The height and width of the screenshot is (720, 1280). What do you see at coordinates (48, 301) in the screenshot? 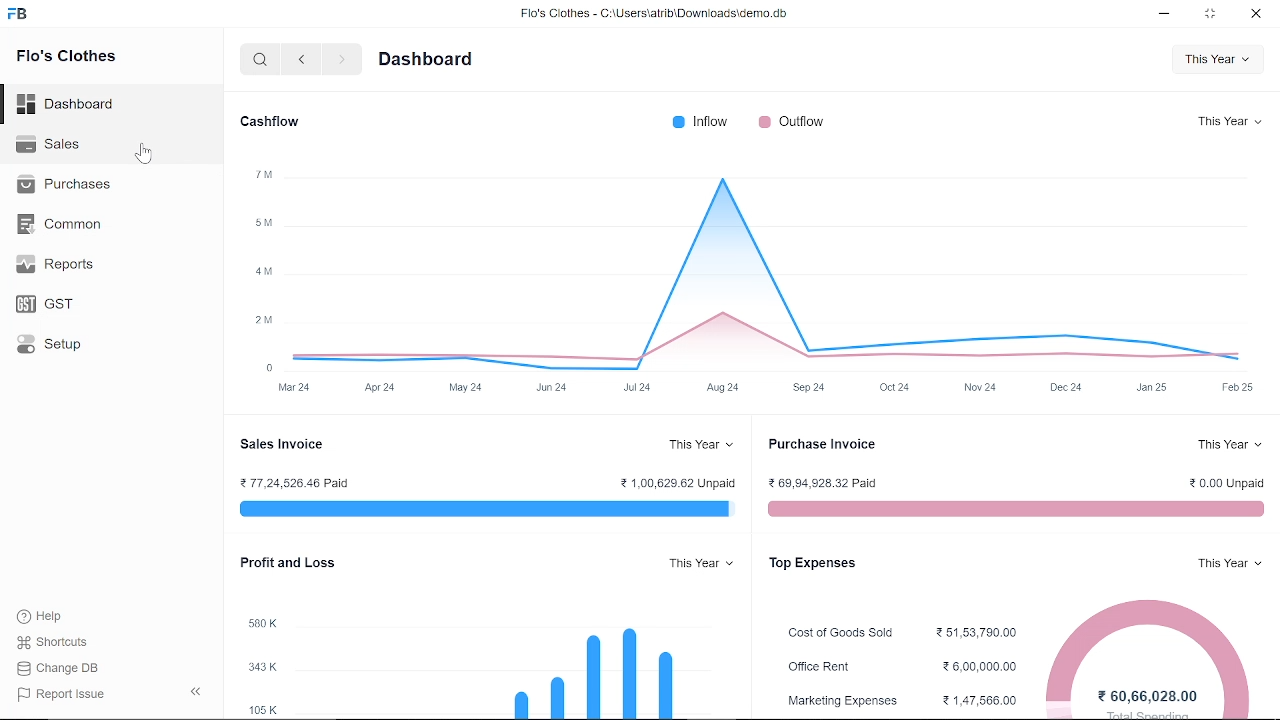
I see `| GST` at bounding box center [48, 301].